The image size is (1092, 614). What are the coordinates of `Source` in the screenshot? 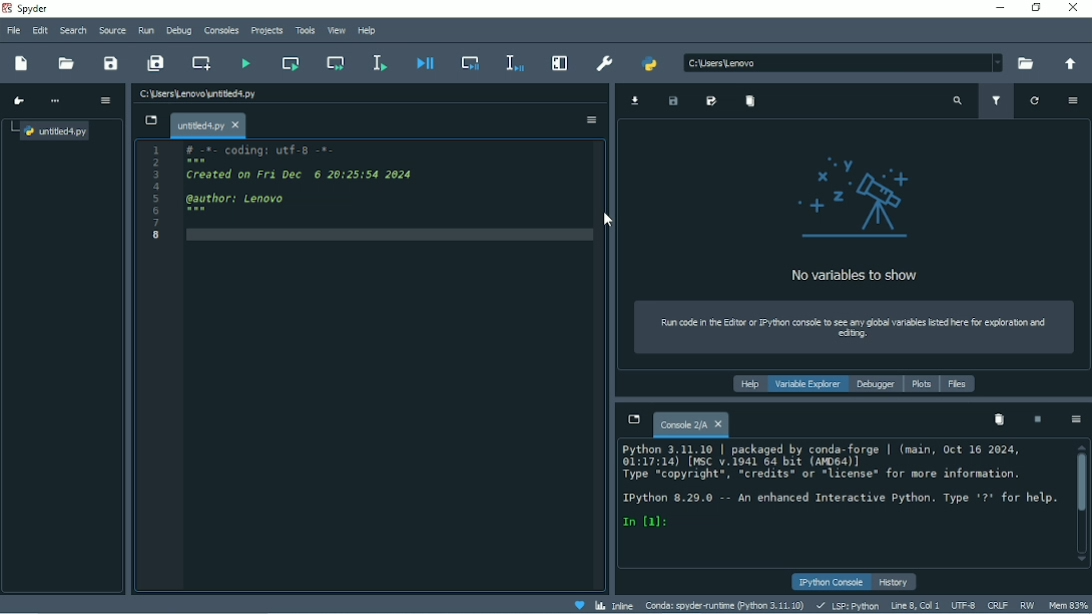 It's located at (113, 30).